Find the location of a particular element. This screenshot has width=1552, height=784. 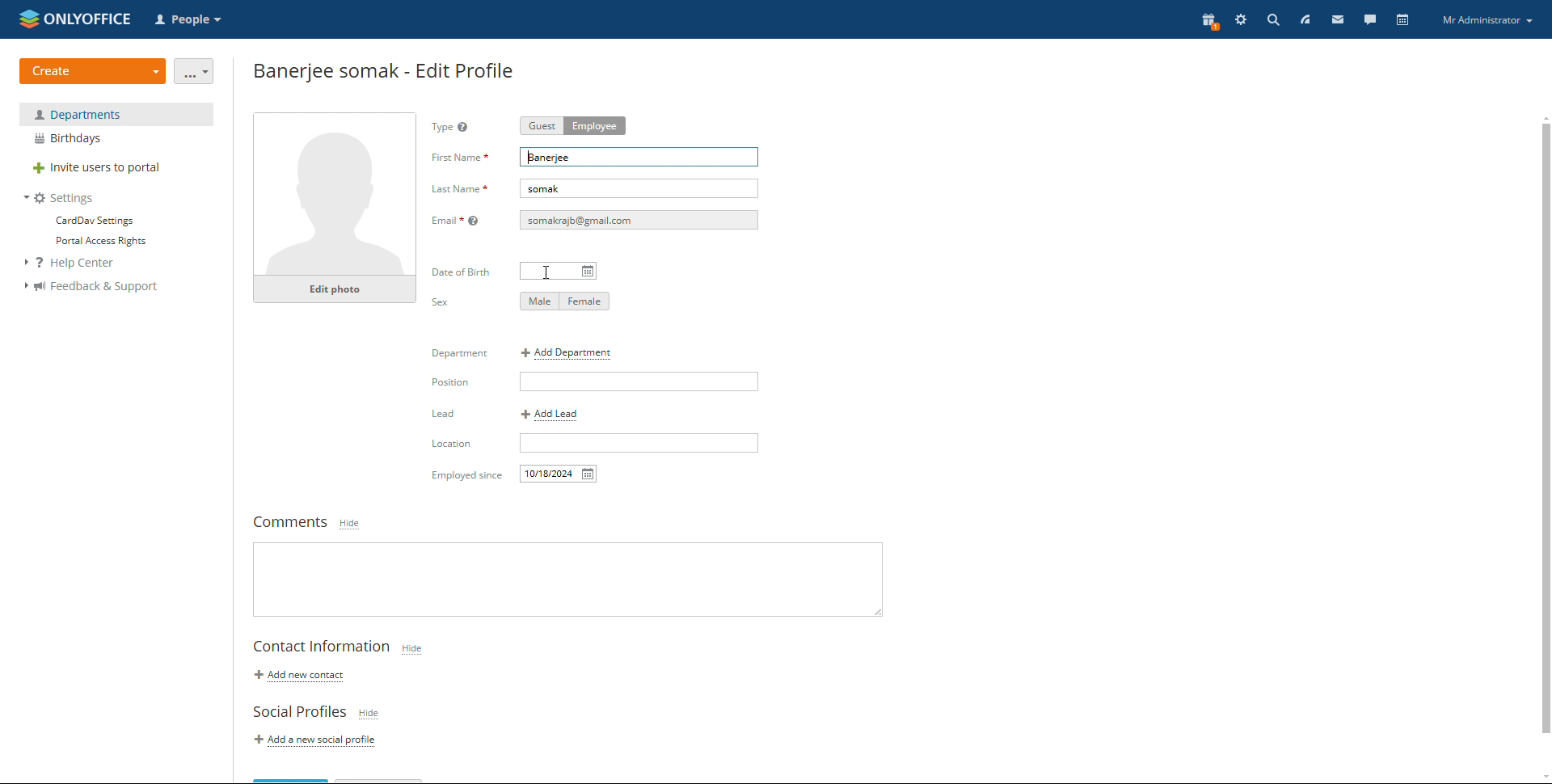

hide is located at coordinates (413, 649).